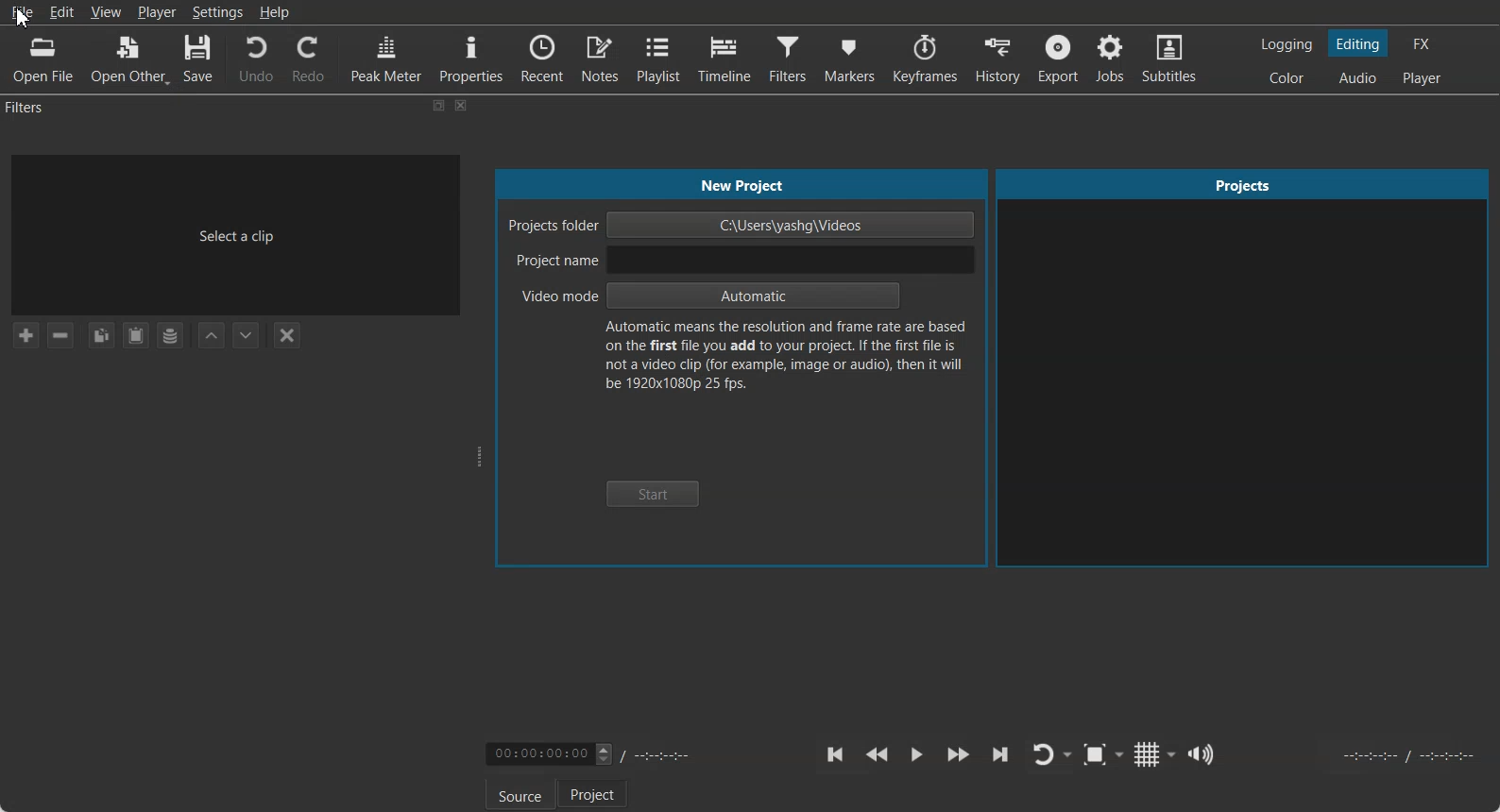  Describe the element at coordinates (836, 753) in the screenshot. I see `Skip to the previous point` at that location.